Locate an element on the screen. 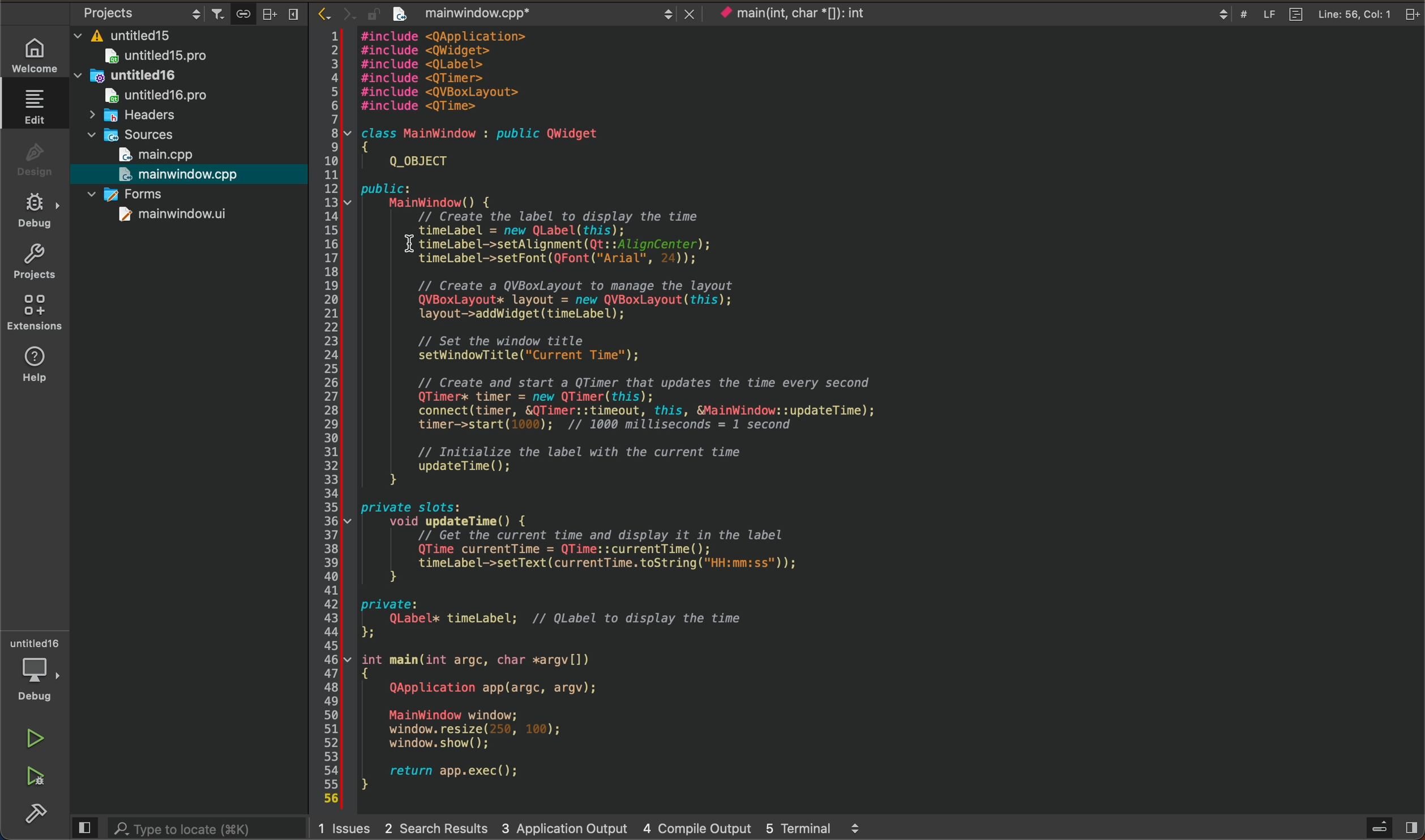 This screenshot has height=840, width=1425. mainwindow.cpp is located at coordinates (545, 14).